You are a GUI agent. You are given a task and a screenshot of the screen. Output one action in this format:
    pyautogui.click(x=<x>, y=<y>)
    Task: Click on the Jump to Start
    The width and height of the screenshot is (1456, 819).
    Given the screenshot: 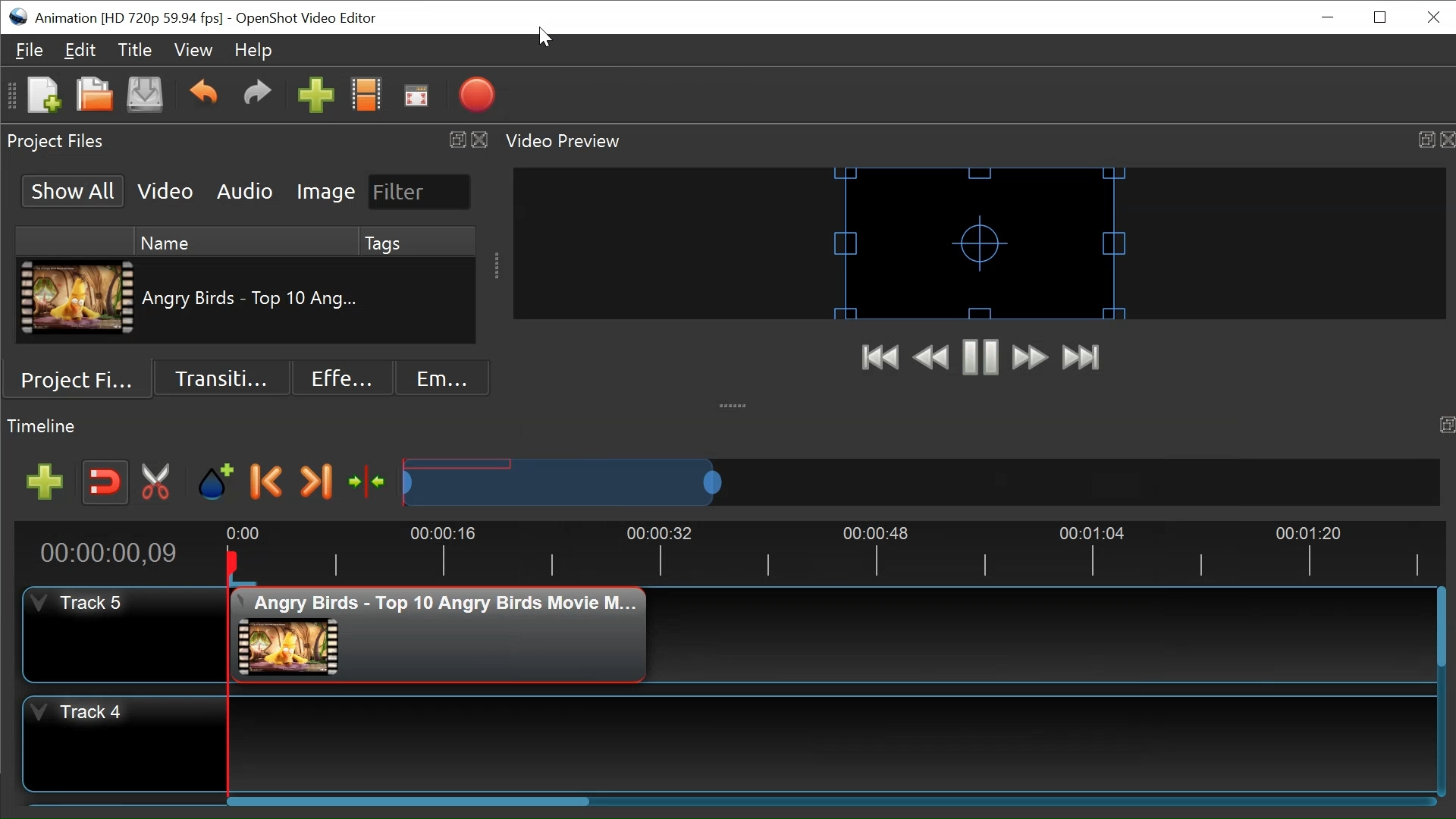 What is the action you would take?
    pyautogui.click(x=881, y=359)
    